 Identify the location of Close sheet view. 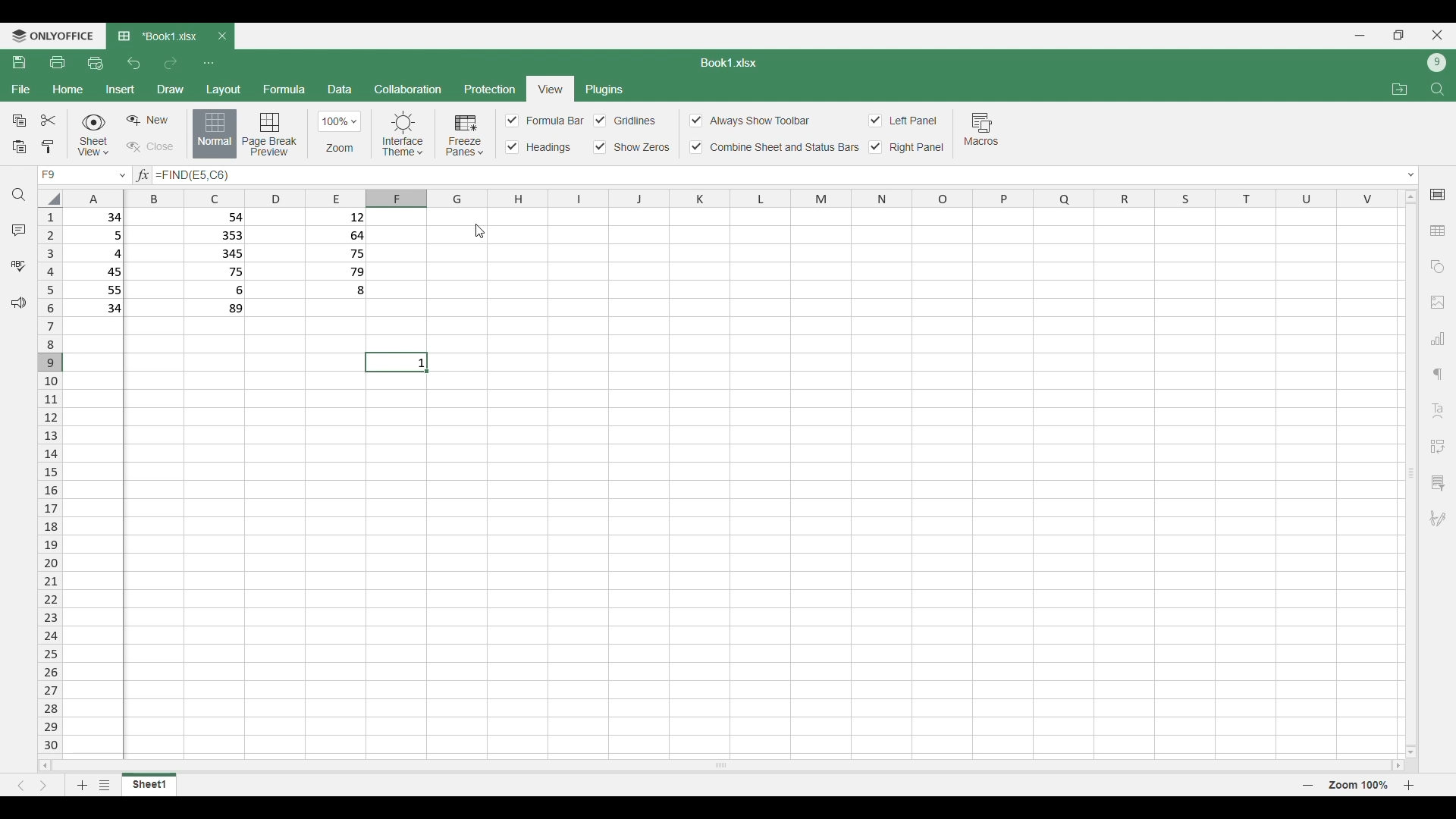
(149, 148).